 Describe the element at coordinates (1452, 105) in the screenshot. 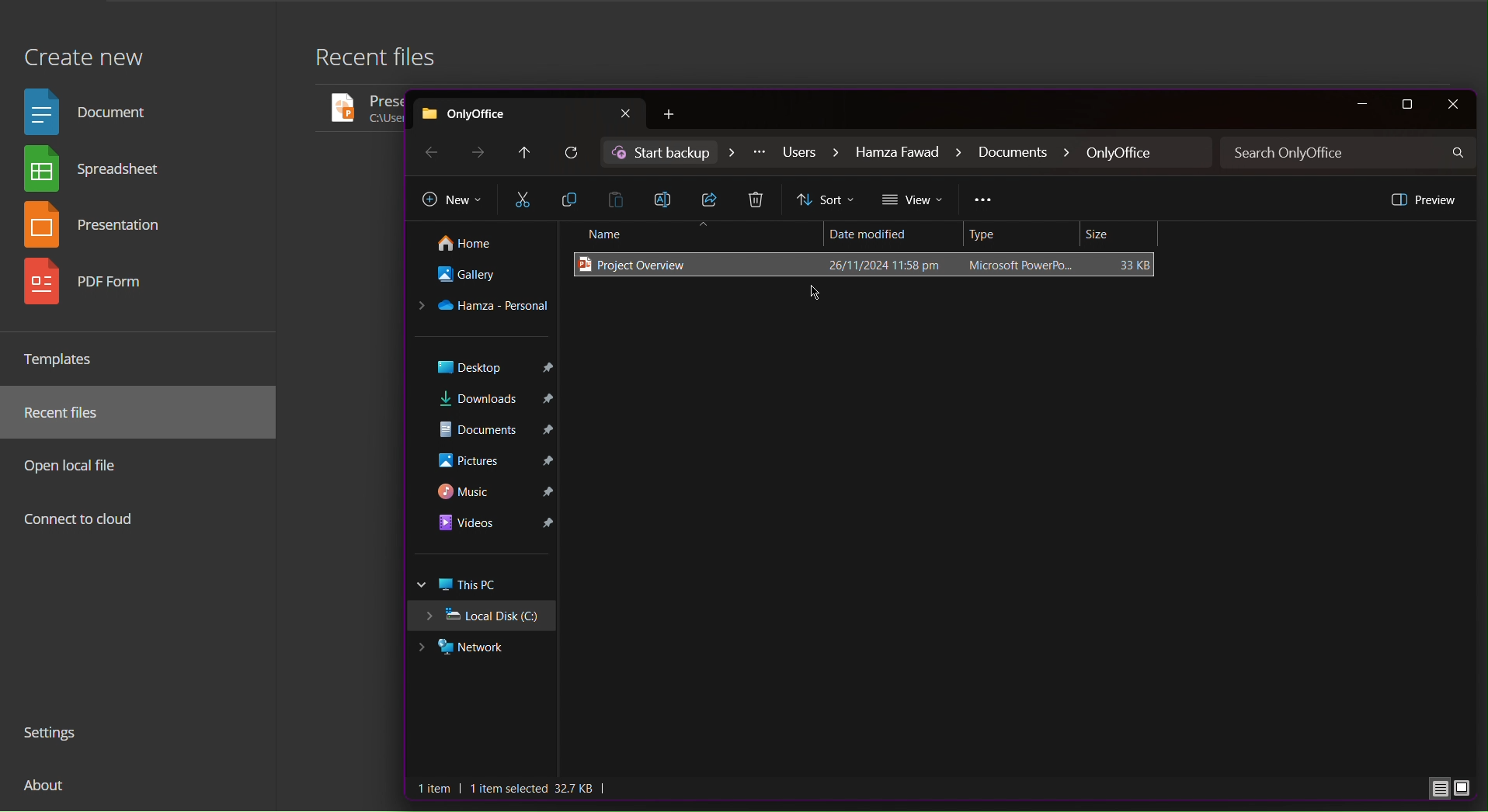

I see `Close` at that location.